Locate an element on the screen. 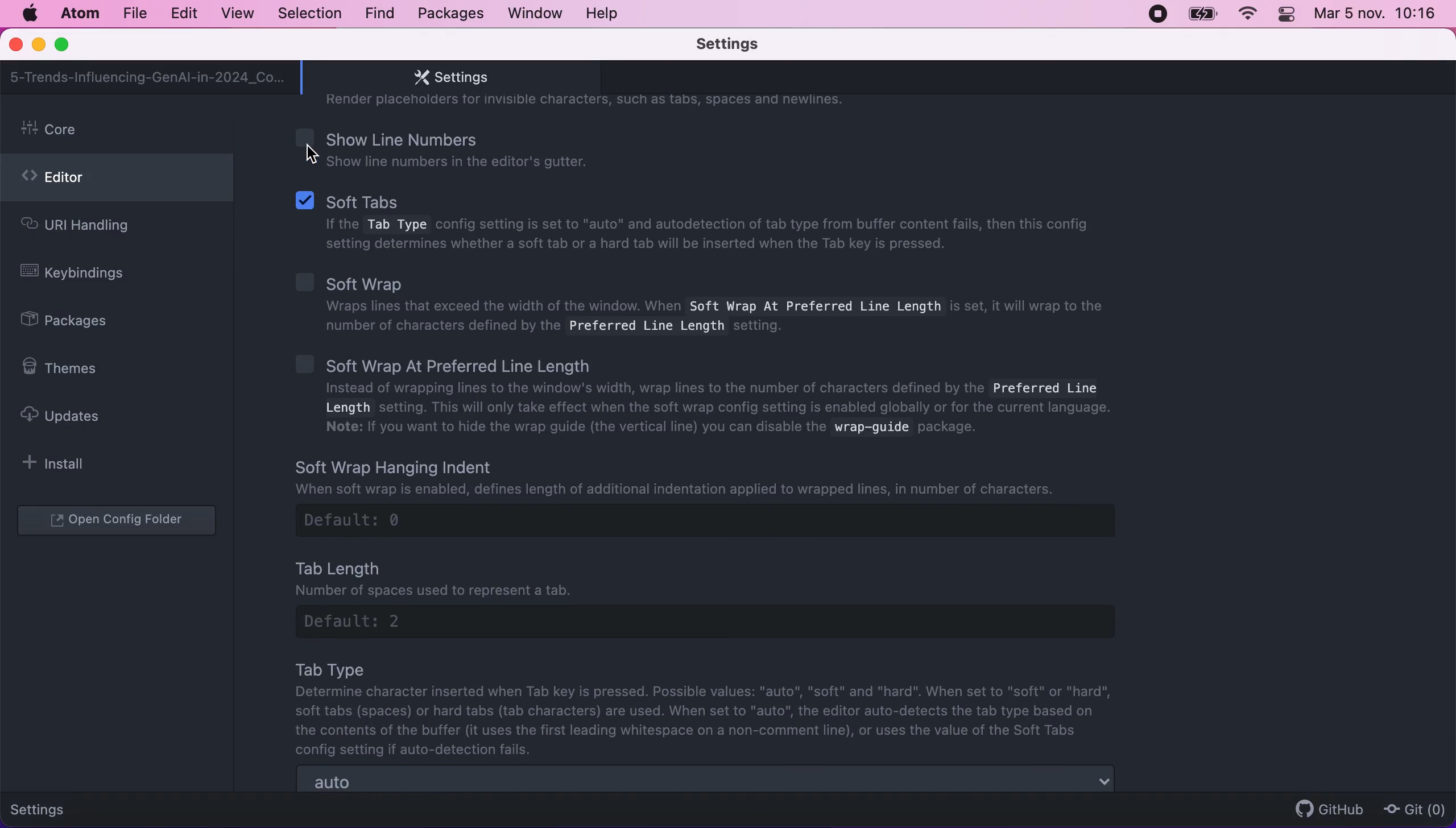 This screenshot has width=1456, height=828. view is located at coordinates (234, 14).